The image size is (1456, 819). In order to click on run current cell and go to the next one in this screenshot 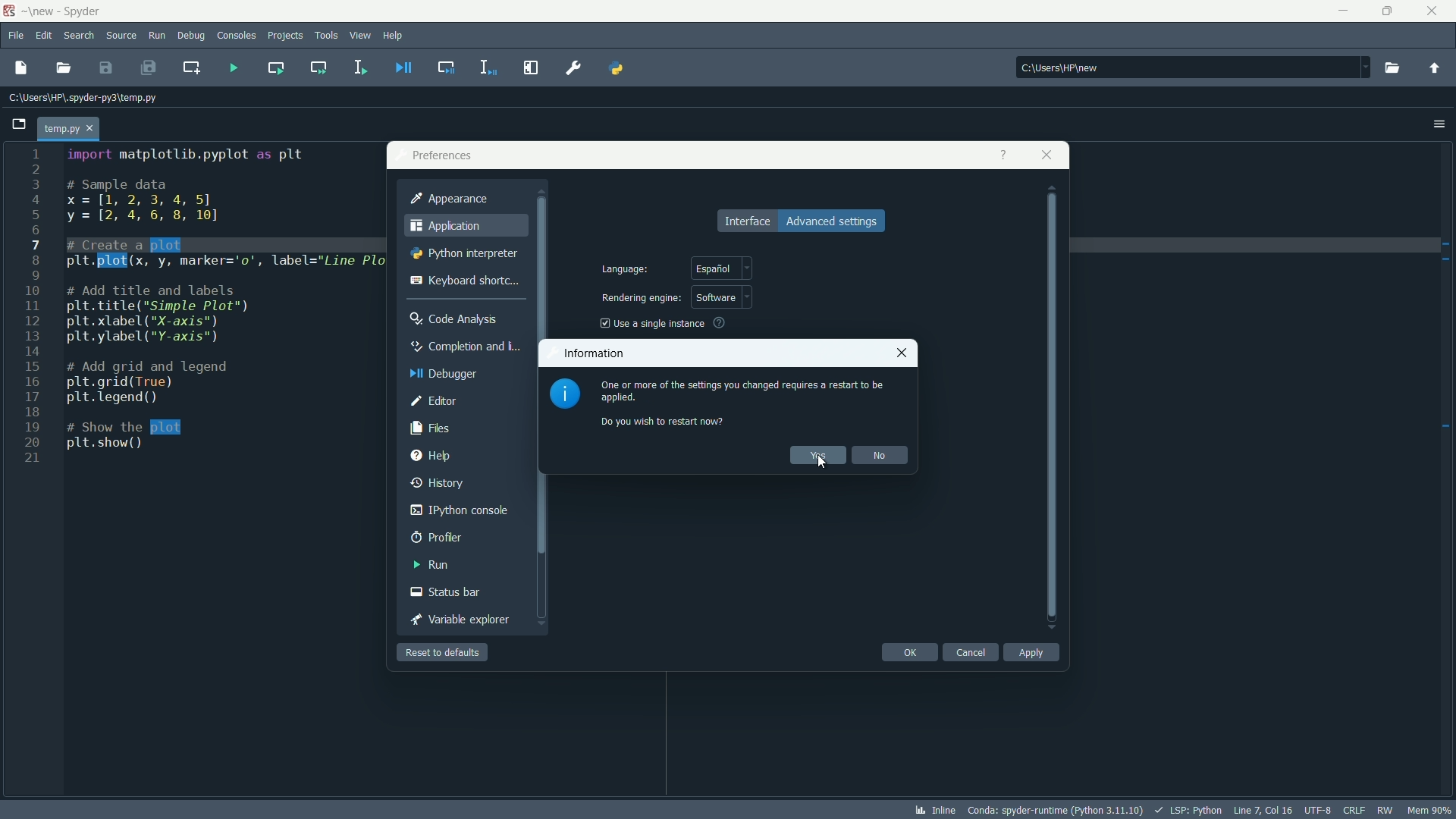, I will do `click(318, 67)`.